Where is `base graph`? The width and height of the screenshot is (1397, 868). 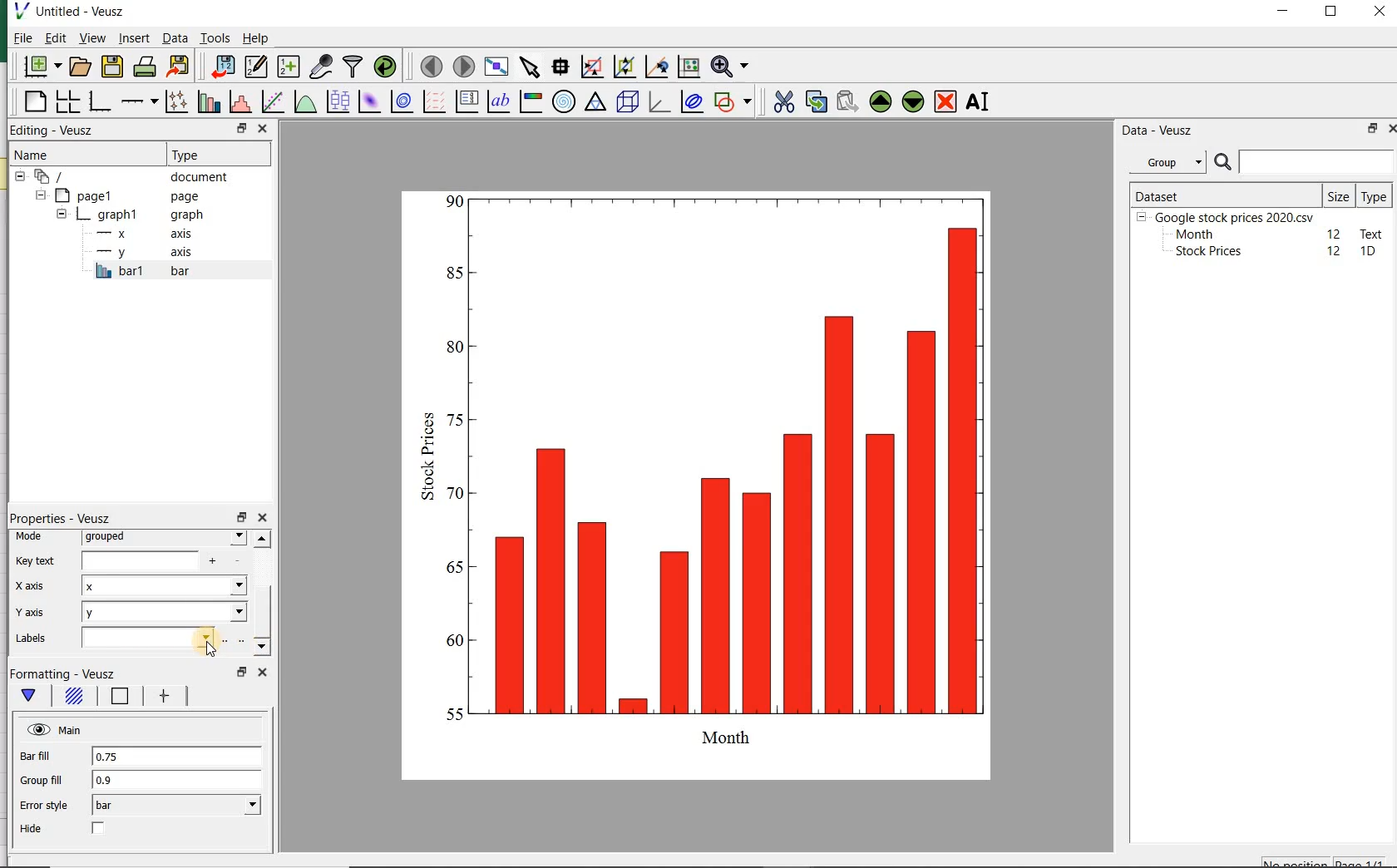 base graph is located at coordinates (99, 102).